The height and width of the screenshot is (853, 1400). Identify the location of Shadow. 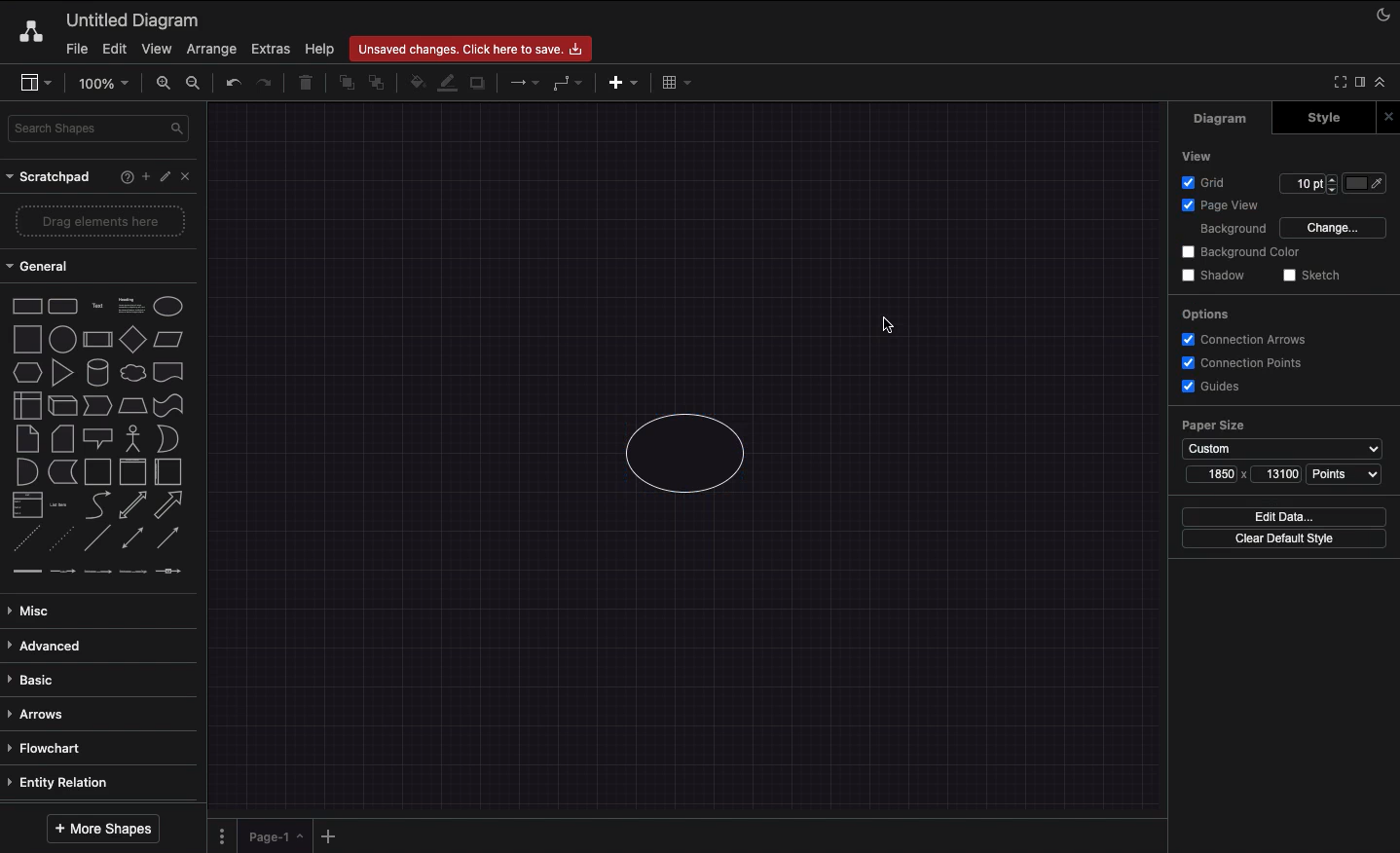
(479, 82).